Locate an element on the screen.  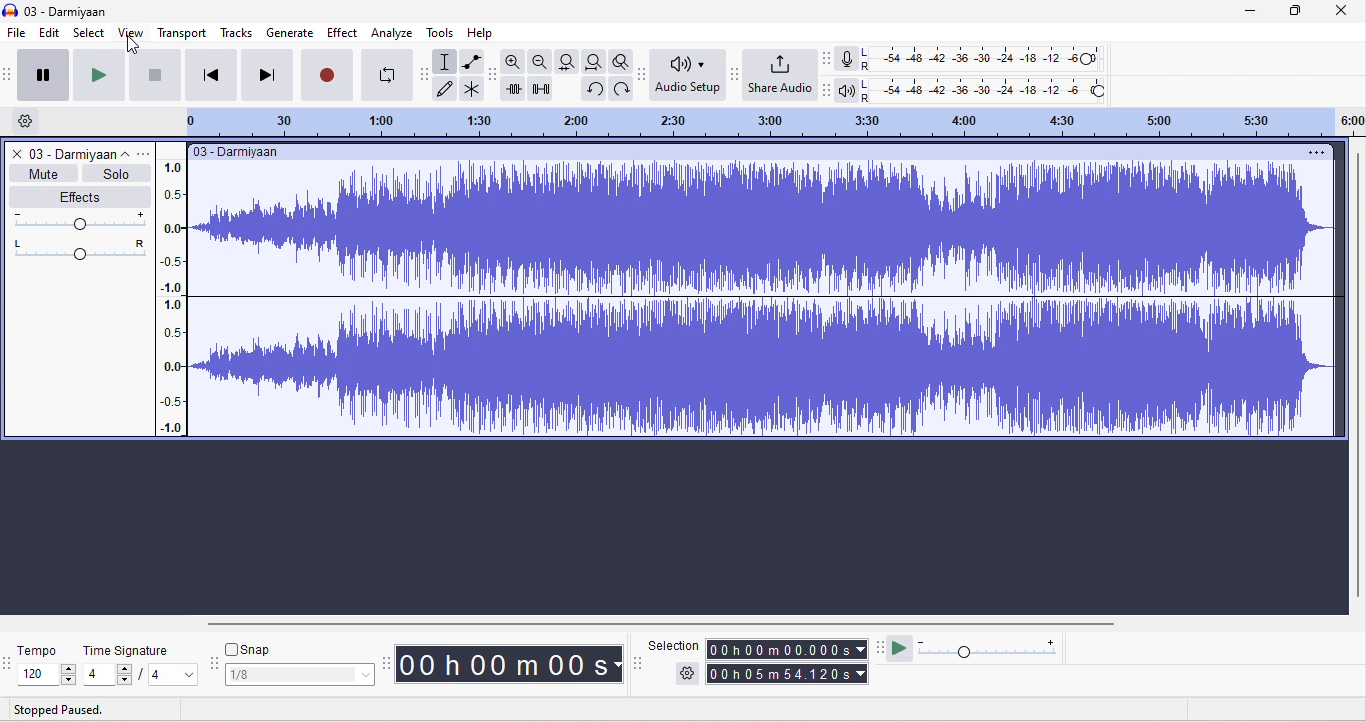
timeline options is located at coordinates (25, 120).